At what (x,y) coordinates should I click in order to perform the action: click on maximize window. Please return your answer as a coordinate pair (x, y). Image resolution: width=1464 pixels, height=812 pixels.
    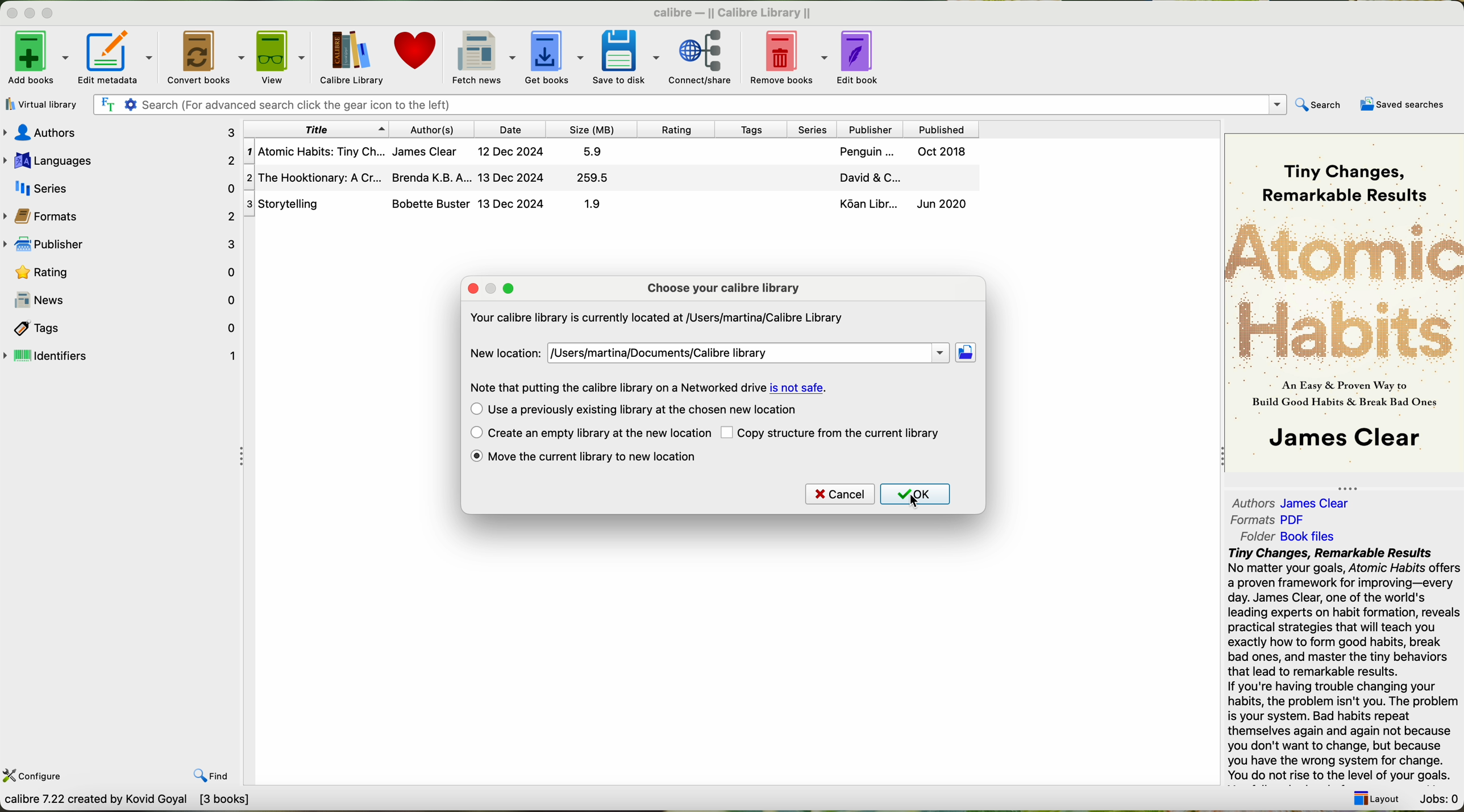
    Looking at the image, I should click on (51, 14).